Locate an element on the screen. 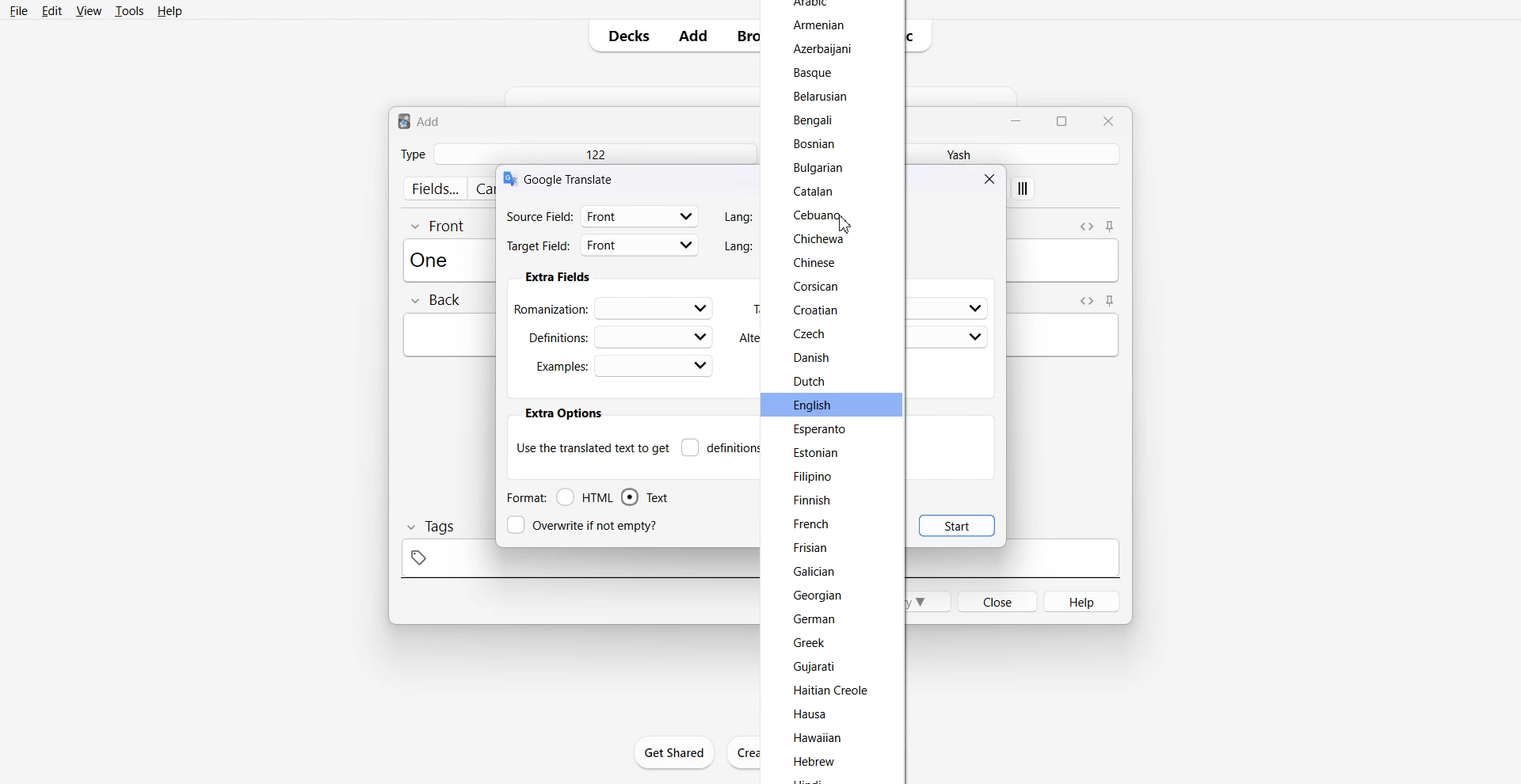 The width and height of the screenshot is (1521, 784). Armenian is located at coordinates (820, 26).